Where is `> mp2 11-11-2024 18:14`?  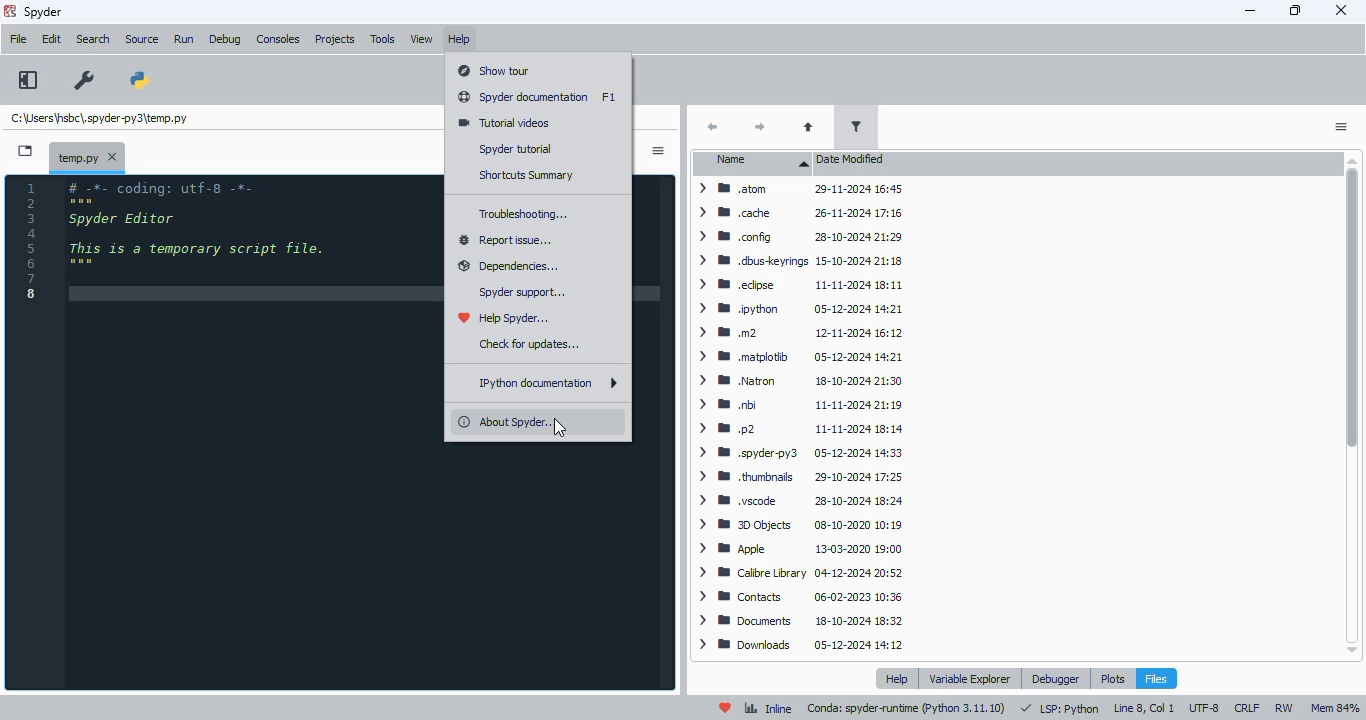
> mp2 11-11-2024 18:14 is located at coordinates (797, 428).